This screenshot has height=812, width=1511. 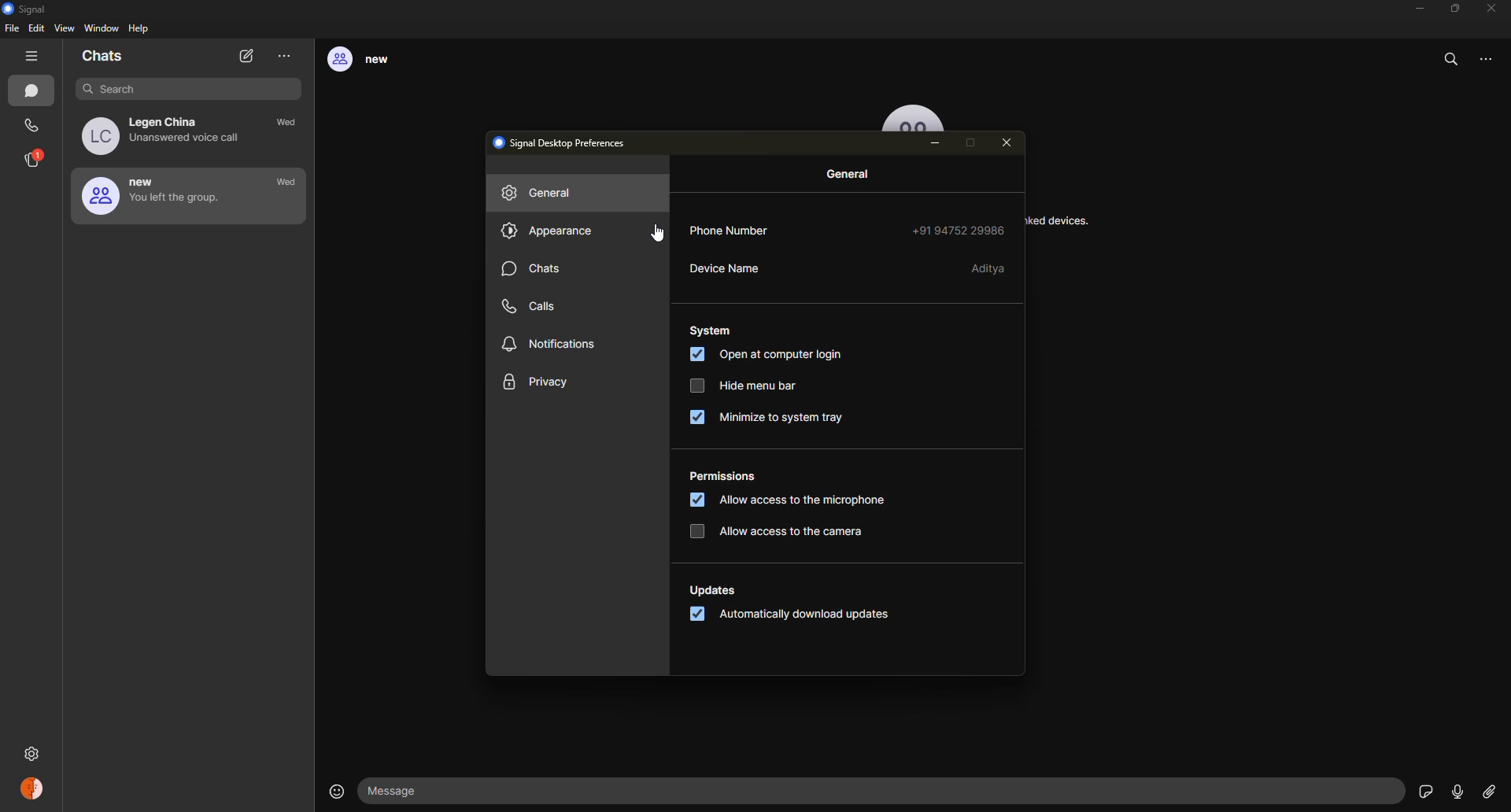 I want to click on phone number, so click(x=741, y=231).